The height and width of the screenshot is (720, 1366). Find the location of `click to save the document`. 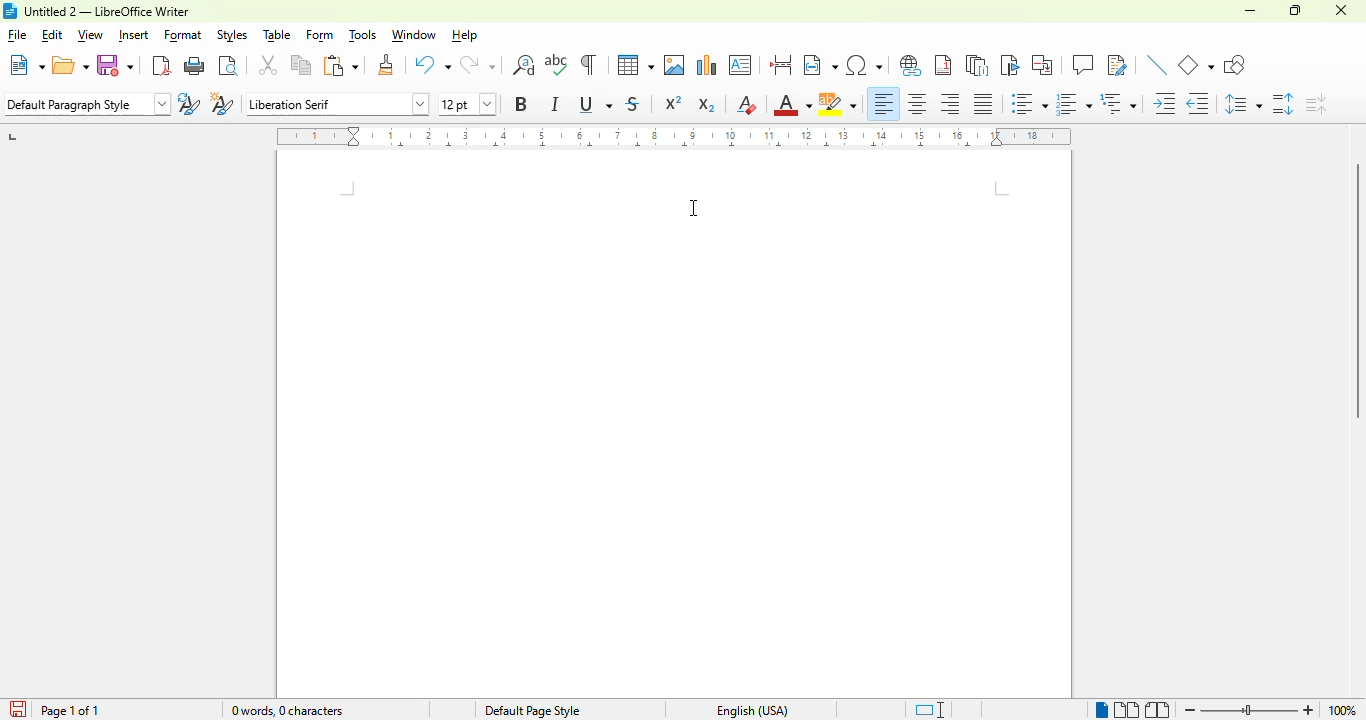

click to save the document is located at coordinates (19, 709).